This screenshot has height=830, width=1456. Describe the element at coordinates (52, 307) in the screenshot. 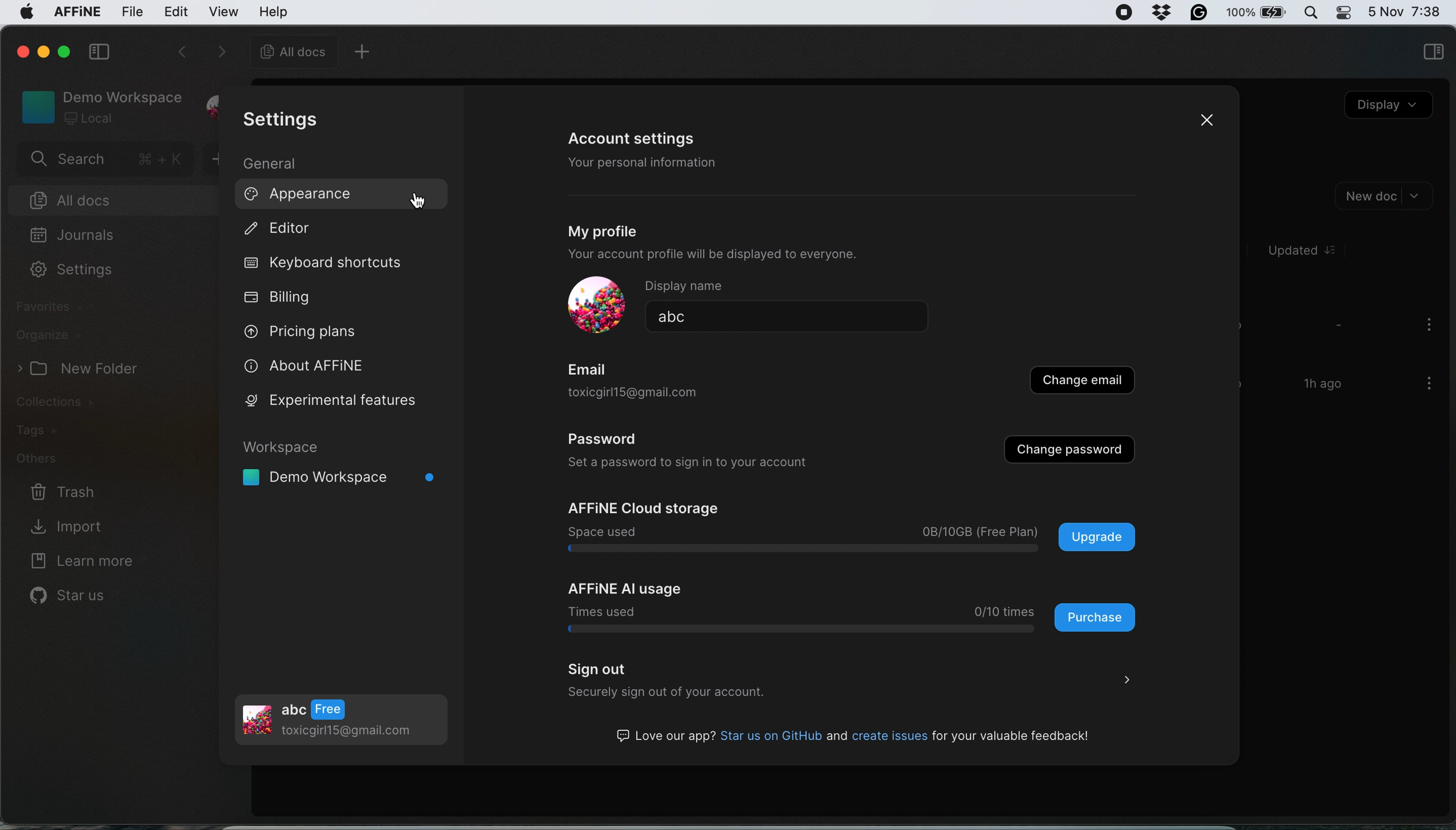

I see `favourites` at that location.